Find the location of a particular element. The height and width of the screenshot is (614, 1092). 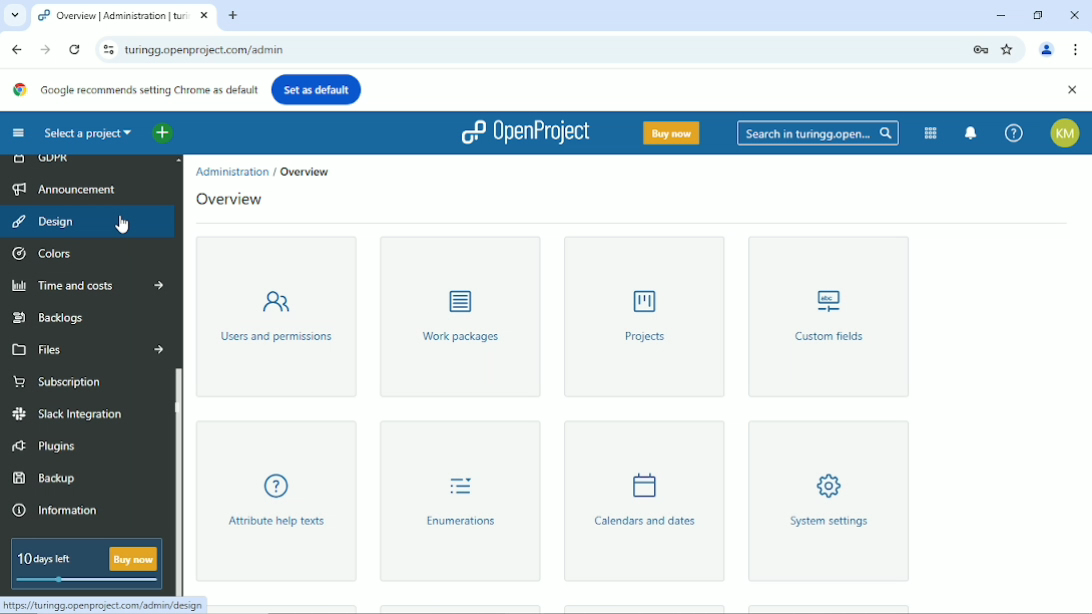

Calendars and dates is located at coordinates (643, 501).